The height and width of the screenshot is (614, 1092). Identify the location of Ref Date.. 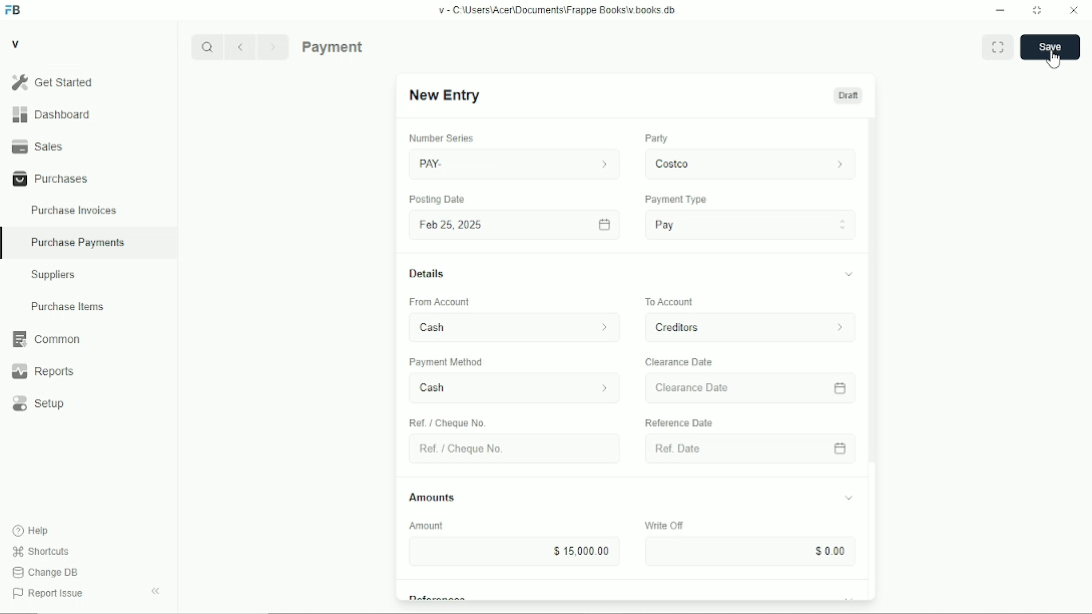
(738, 447).